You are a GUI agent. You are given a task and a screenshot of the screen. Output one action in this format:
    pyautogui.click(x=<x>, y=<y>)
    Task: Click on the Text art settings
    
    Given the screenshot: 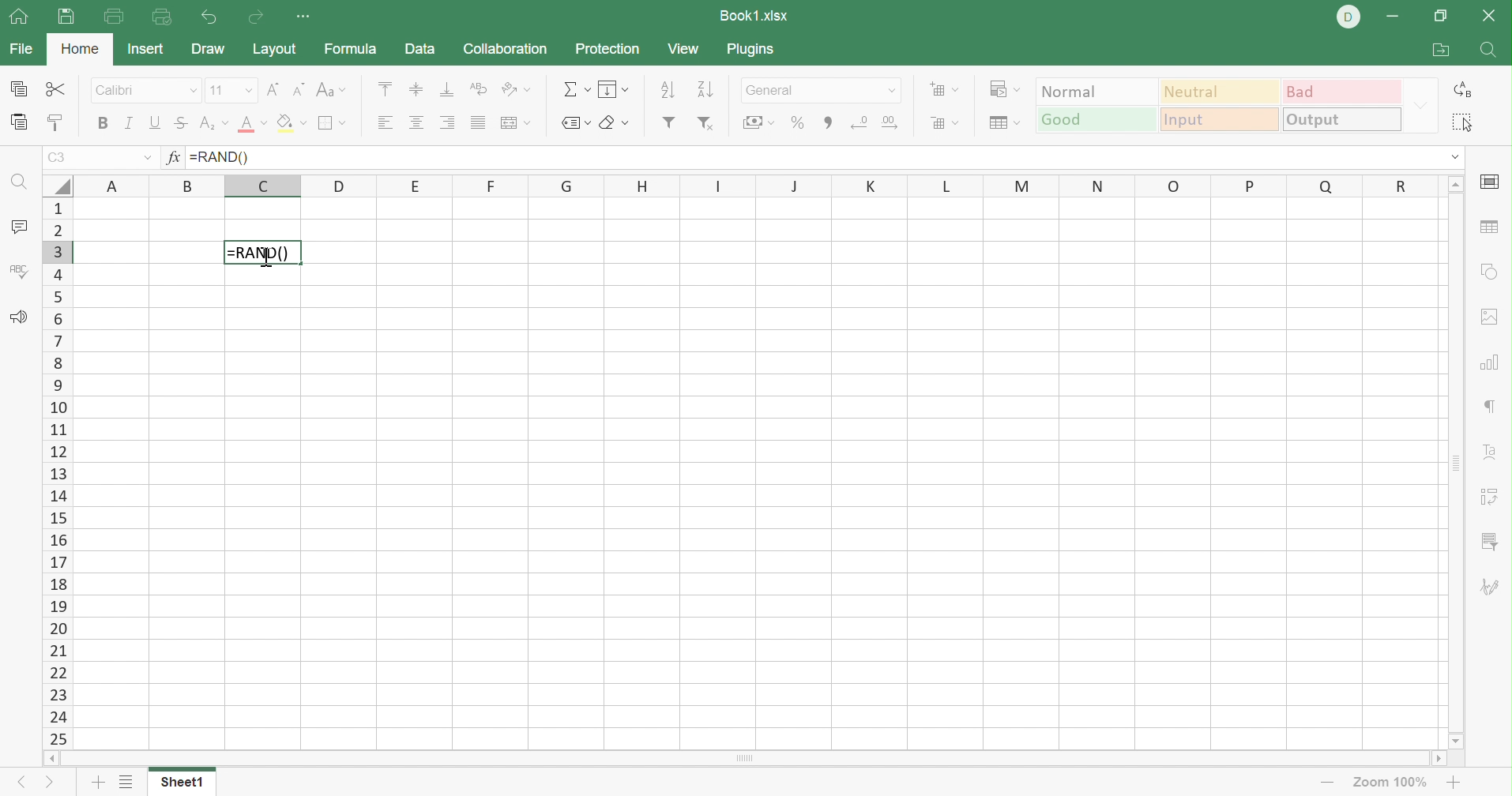 What is the action you would take?
    pyautogui.click(x=1488, y=451)
    